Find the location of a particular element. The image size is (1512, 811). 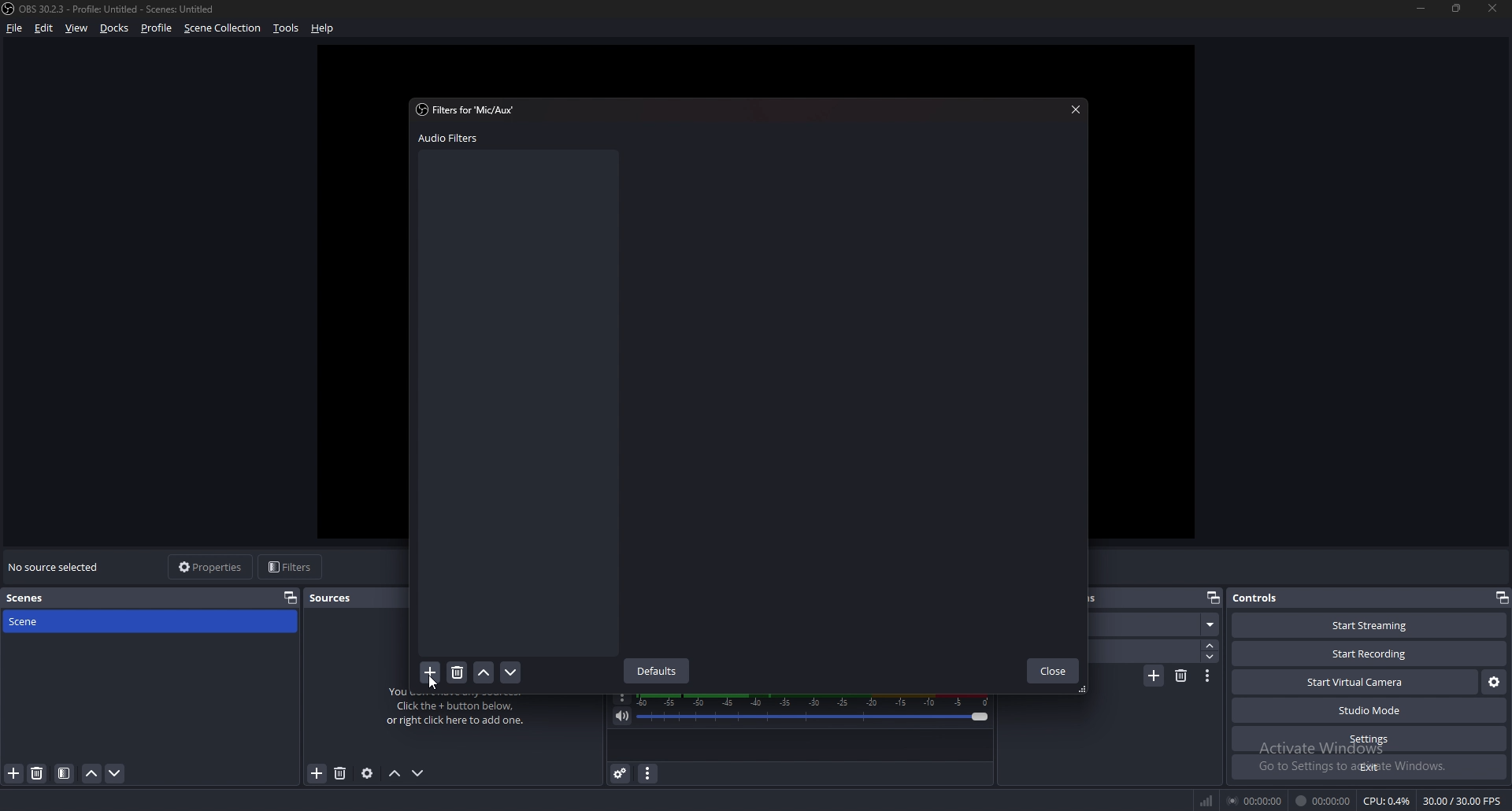

start virtual camera is located at coordinates (1358, 682).